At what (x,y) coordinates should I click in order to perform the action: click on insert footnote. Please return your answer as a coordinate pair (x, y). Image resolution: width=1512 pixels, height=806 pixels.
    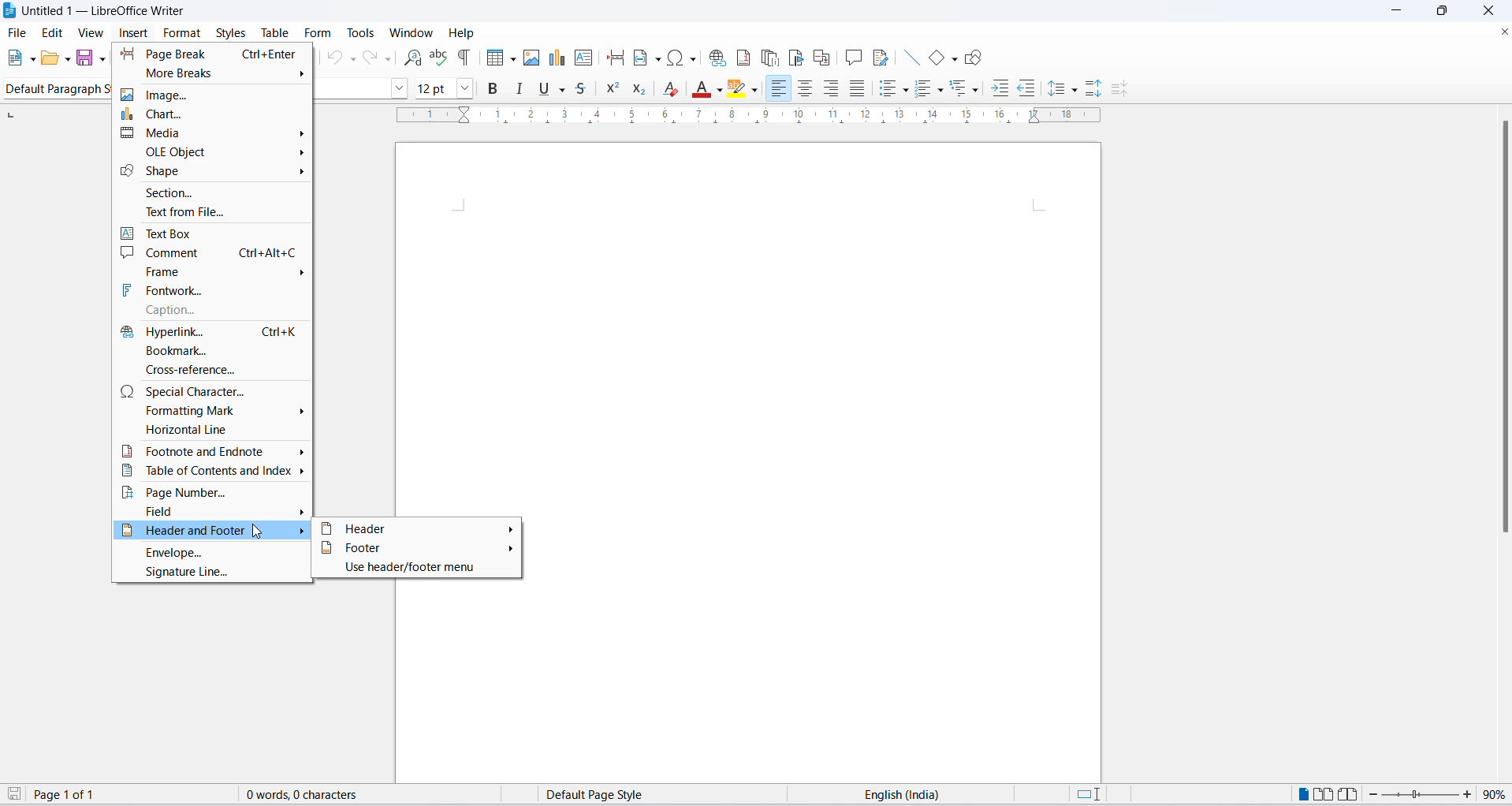
    Looking at the image, I should click on (744, 57).